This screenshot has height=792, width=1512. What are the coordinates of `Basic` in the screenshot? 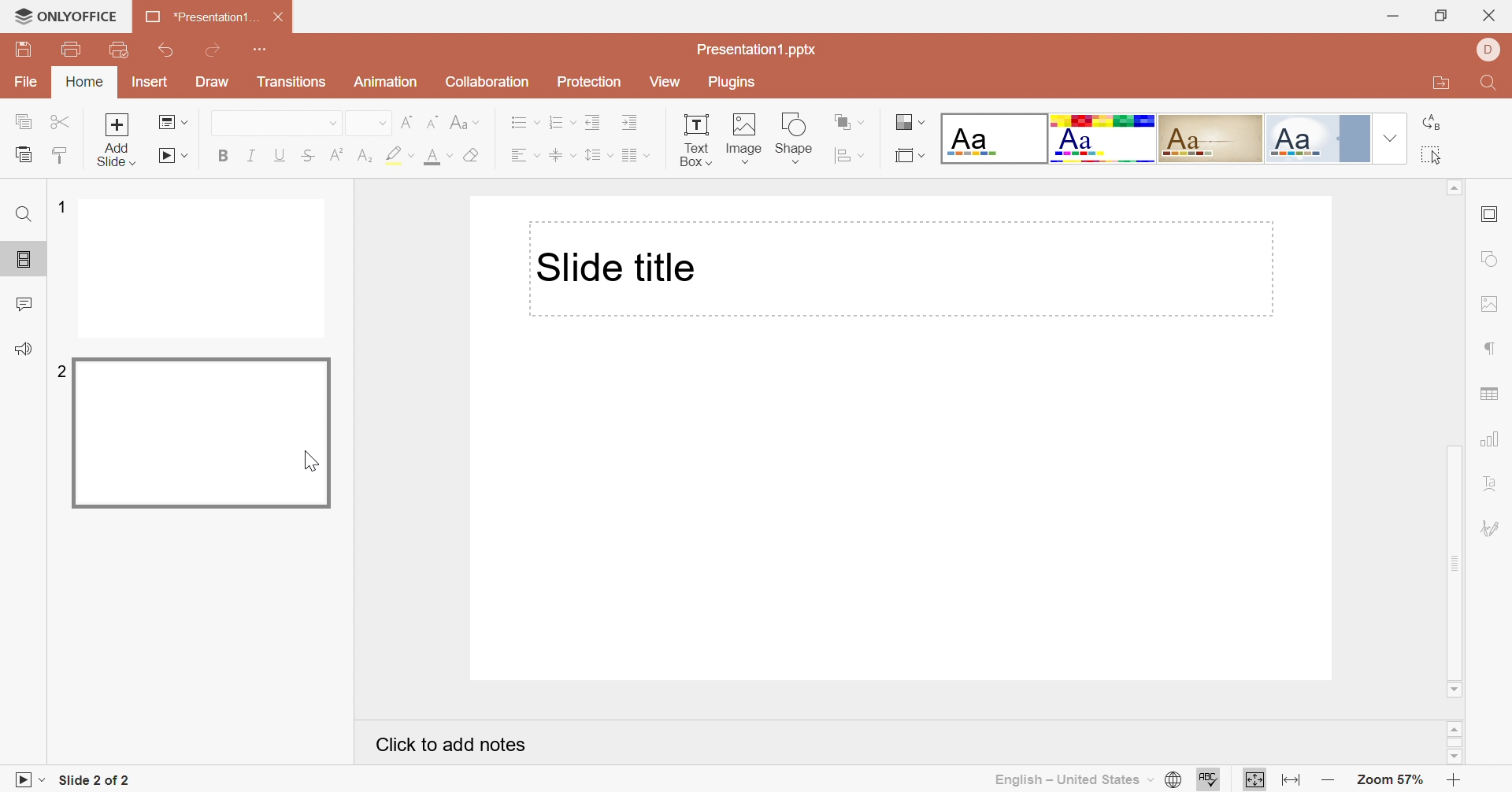 It's located at (1102, 138).